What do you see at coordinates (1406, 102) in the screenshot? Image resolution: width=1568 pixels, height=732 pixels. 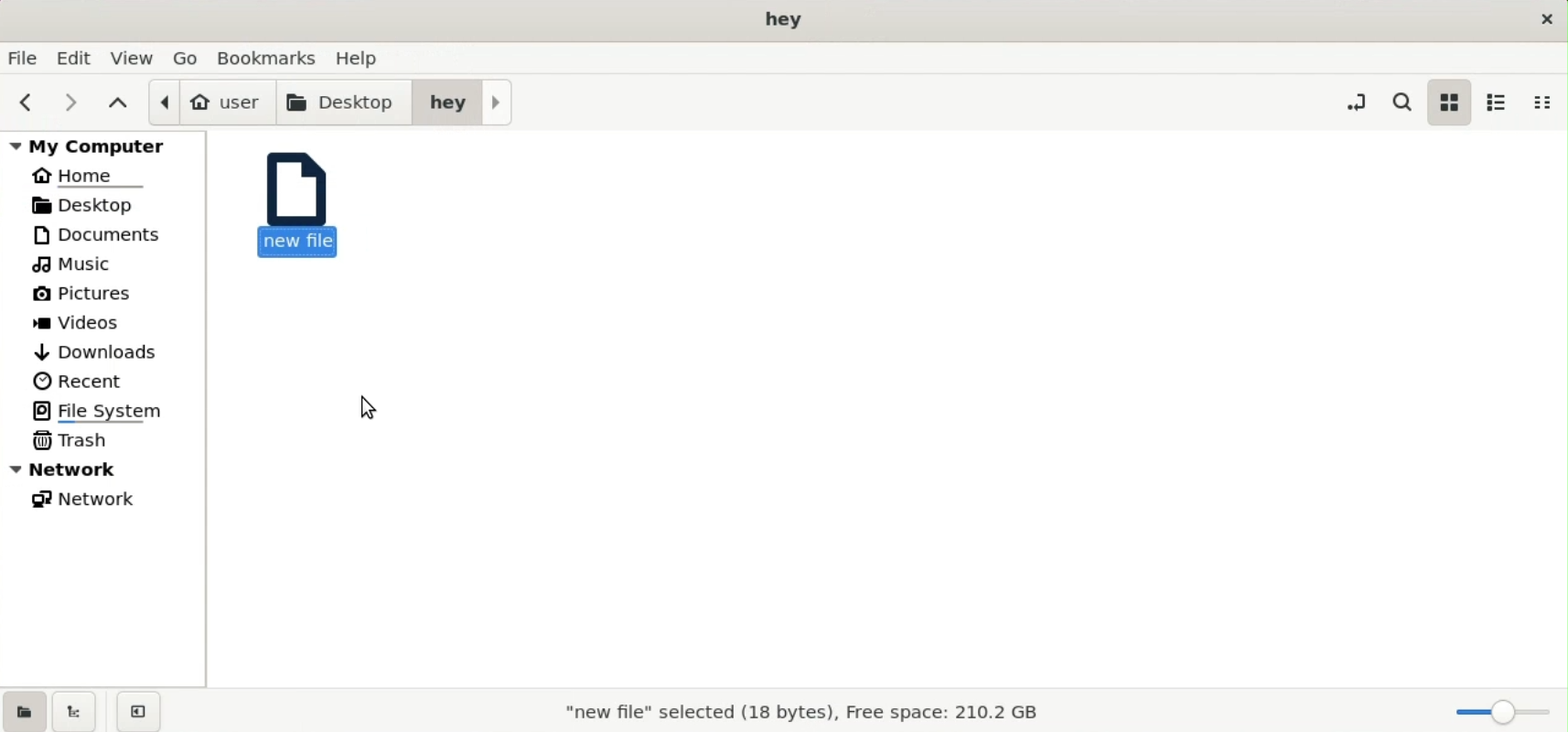 I see `search` at bounding box center [1406, 102].